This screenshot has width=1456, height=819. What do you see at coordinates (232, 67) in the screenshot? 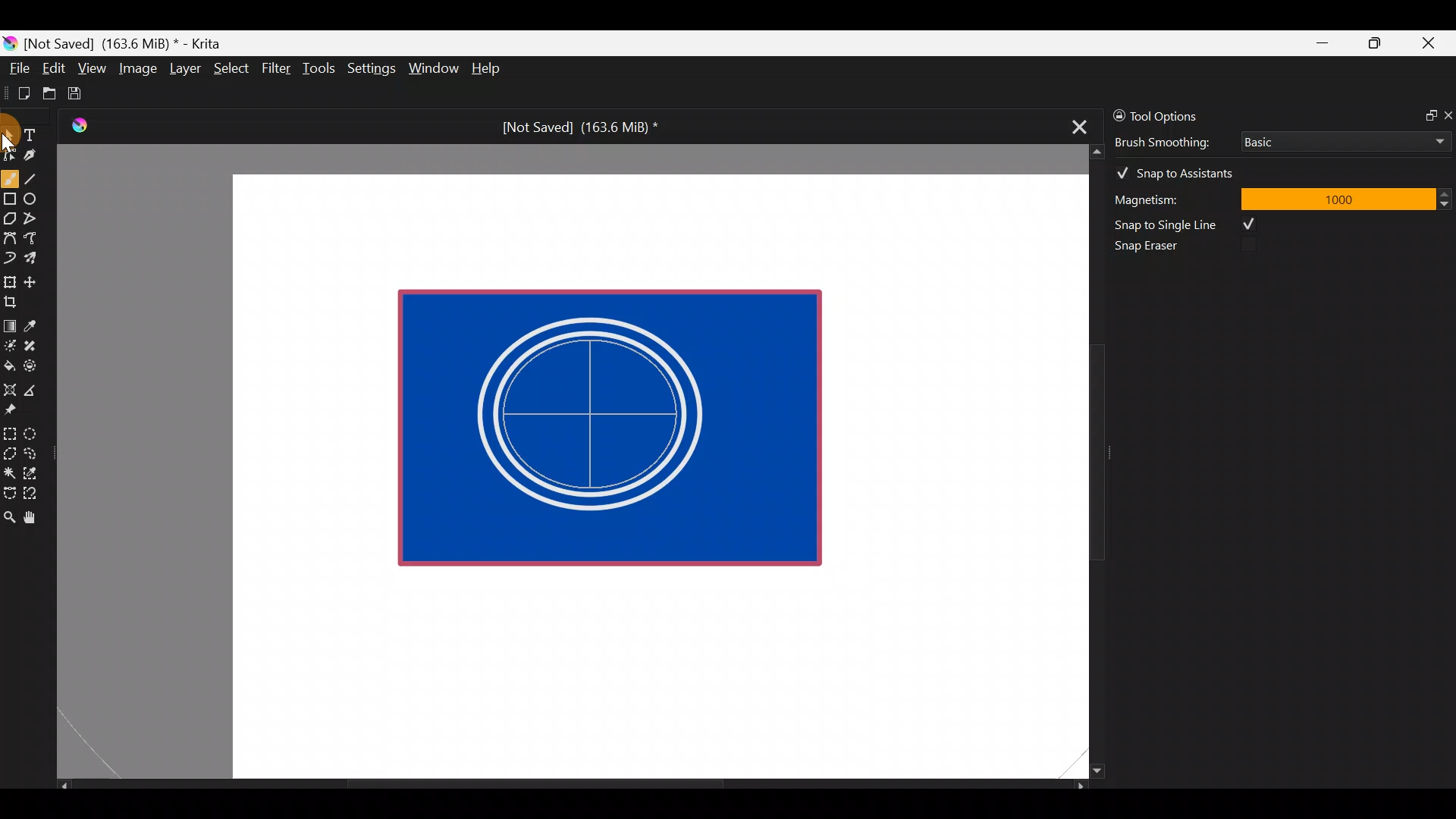
I see `Select` at bounding box center [232, 67].